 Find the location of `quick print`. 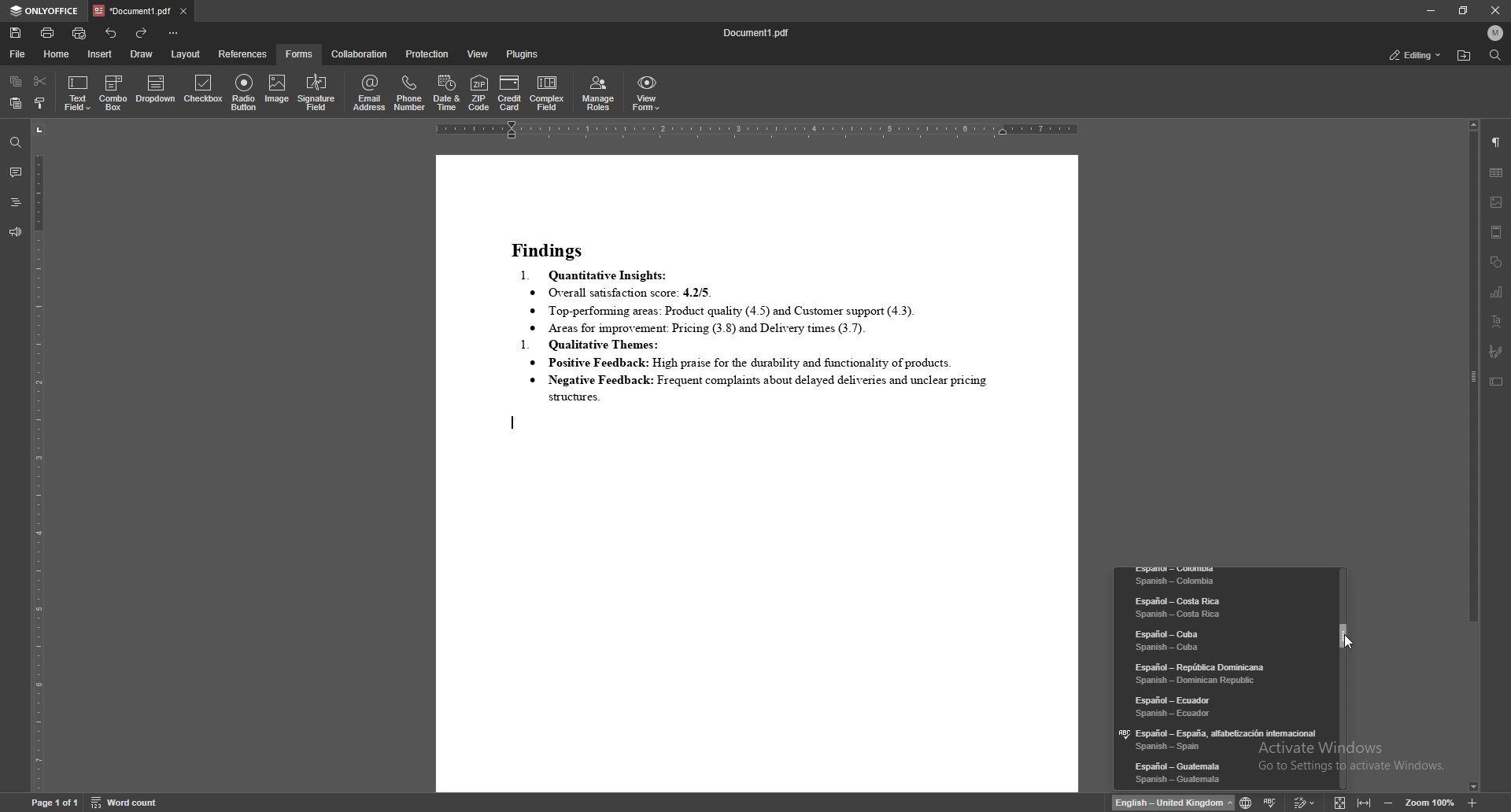

quick print is located at coordinates (80, 33).